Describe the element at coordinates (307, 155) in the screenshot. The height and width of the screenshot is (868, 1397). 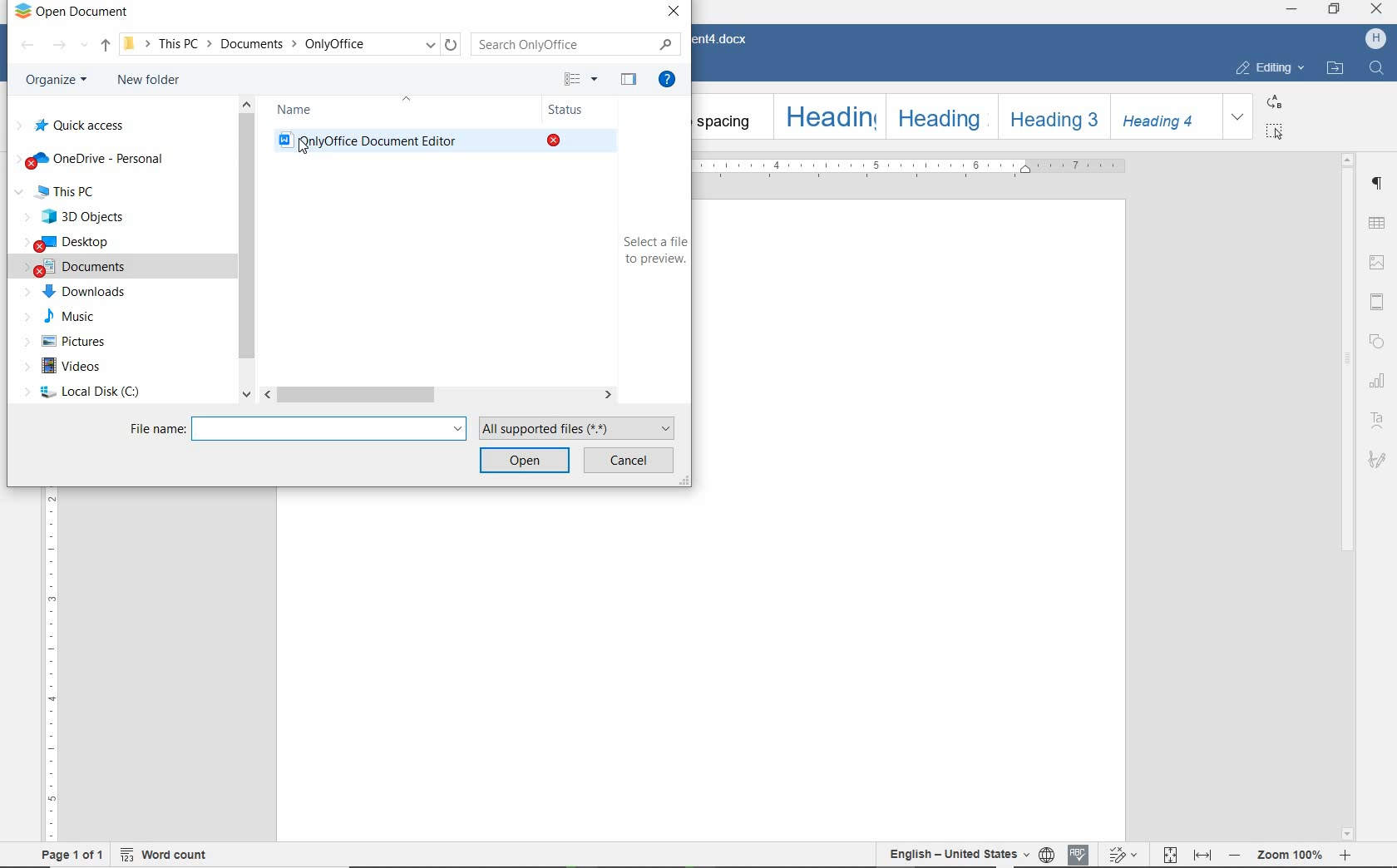
I see `Pointer` at that location.